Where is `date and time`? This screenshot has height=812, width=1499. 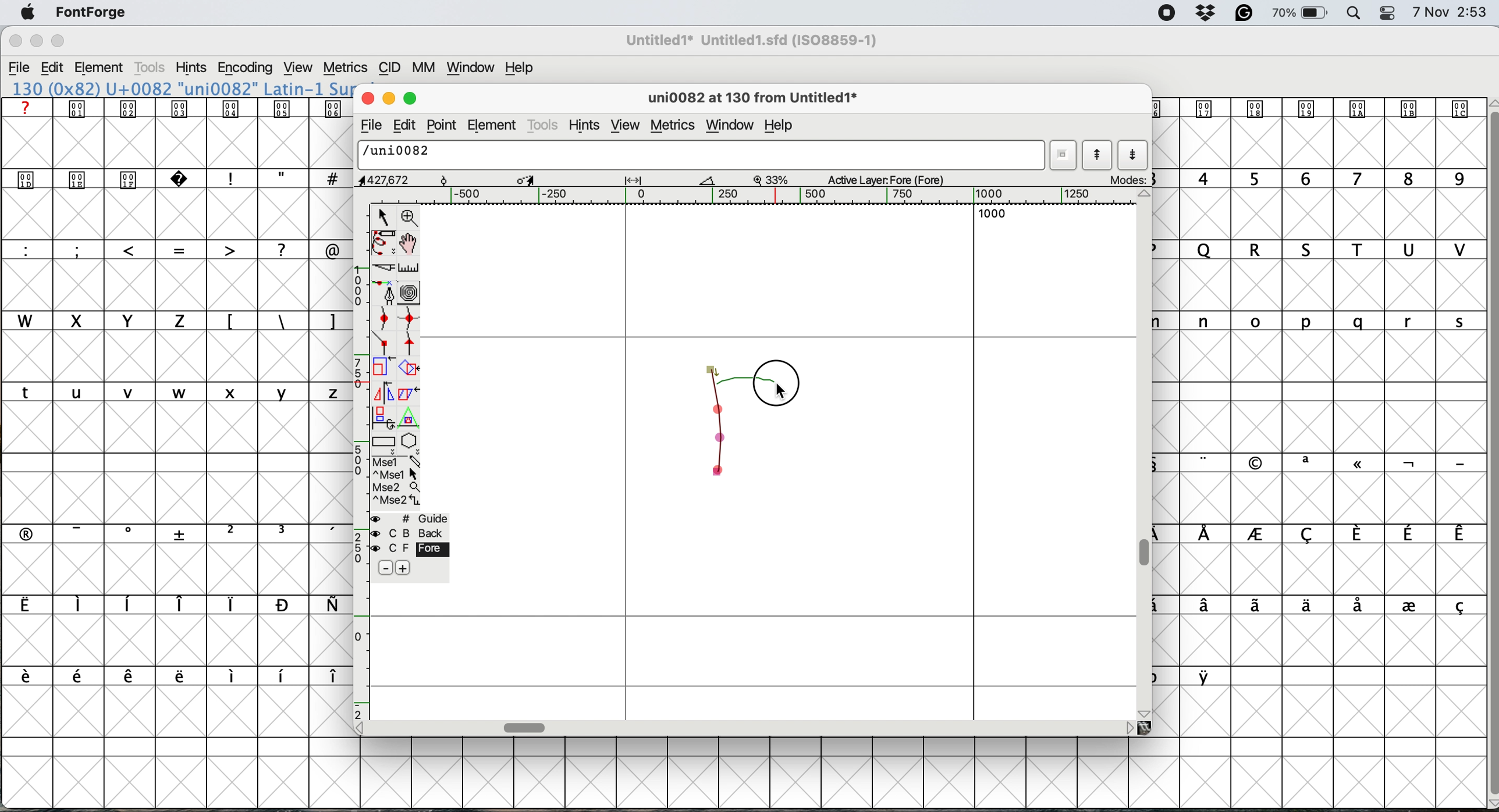 date and time is located at coordinates (1450, 13).